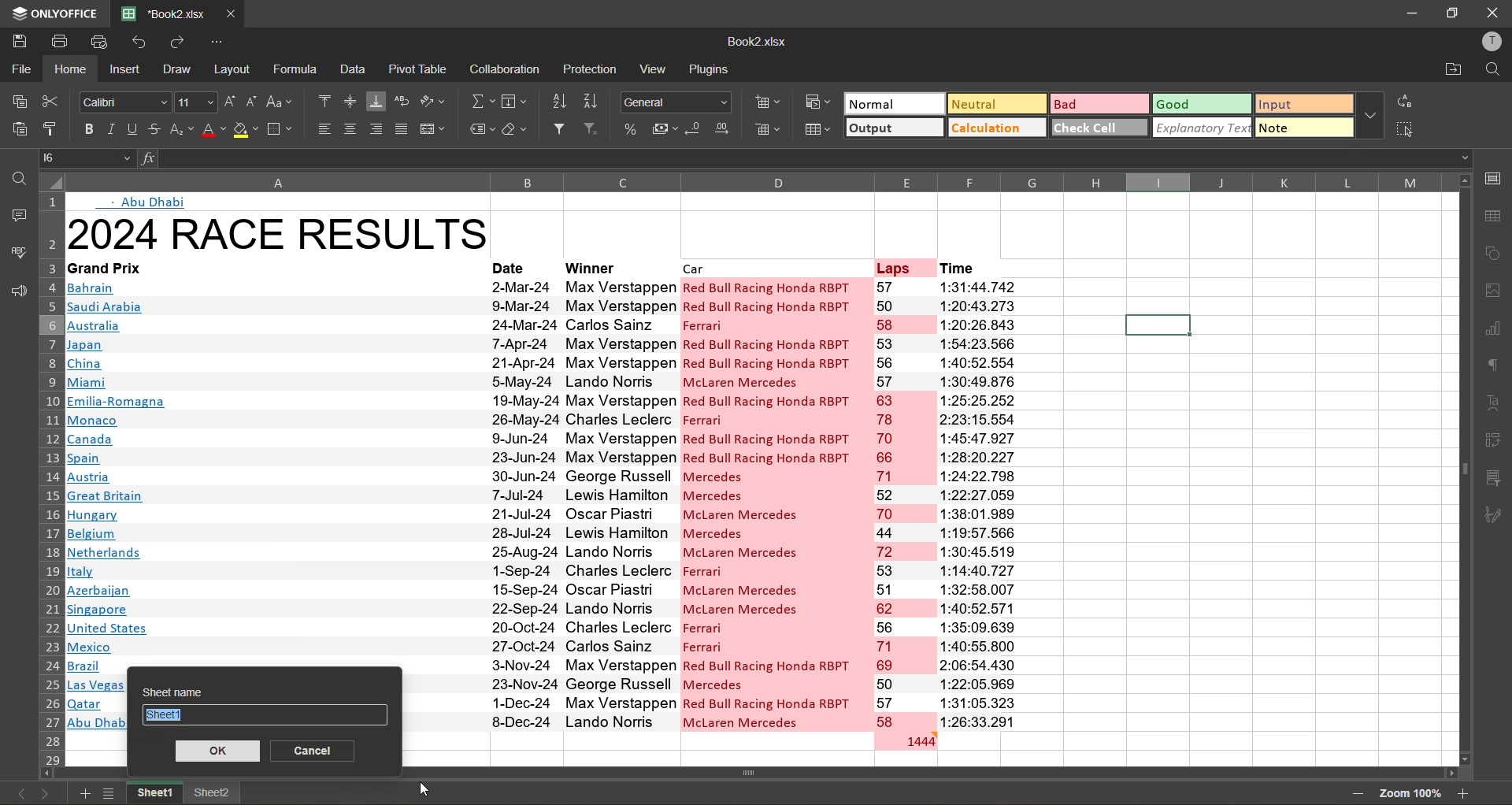 The image size is (1512, 805). I want to click on plugins, so click(709, 67).